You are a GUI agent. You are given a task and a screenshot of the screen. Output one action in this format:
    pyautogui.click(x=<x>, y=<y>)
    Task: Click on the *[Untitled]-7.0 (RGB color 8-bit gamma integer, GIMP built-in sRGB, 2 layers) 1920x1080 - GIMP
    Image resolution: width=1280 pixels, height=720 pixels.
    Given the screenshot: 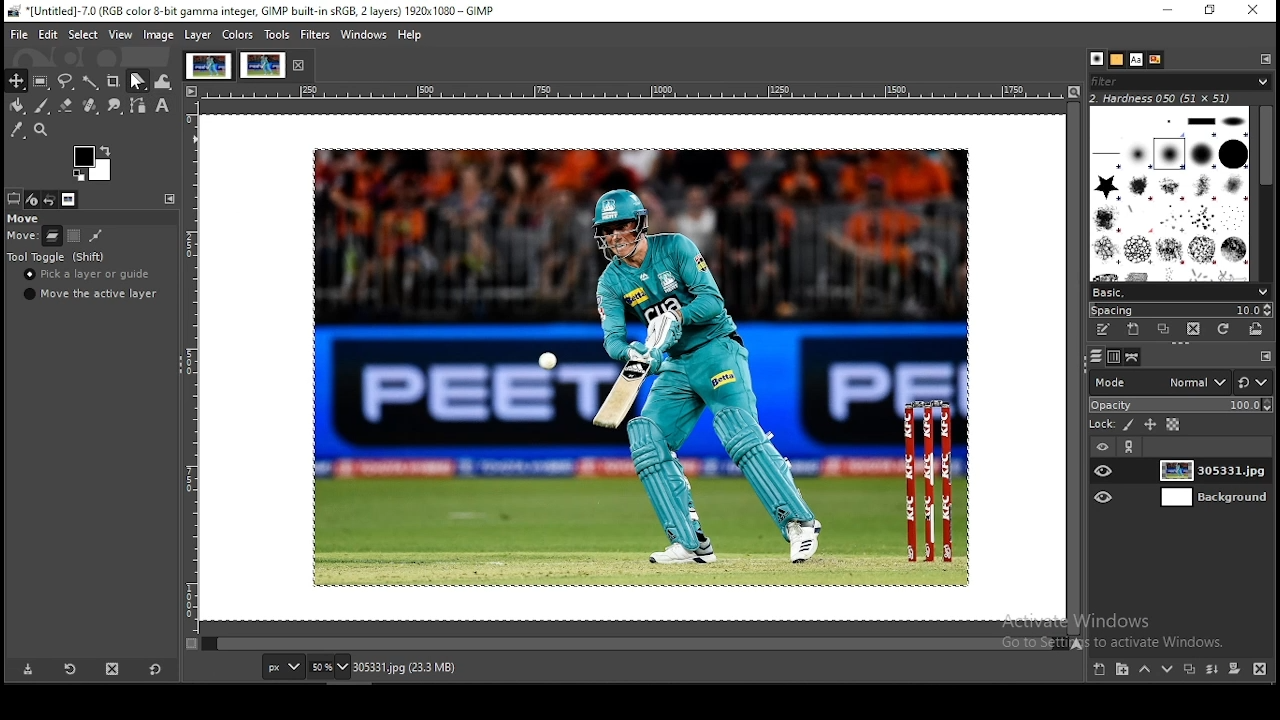 What is the action you would take?
    pyautogui.click(x=262, y=11)
    